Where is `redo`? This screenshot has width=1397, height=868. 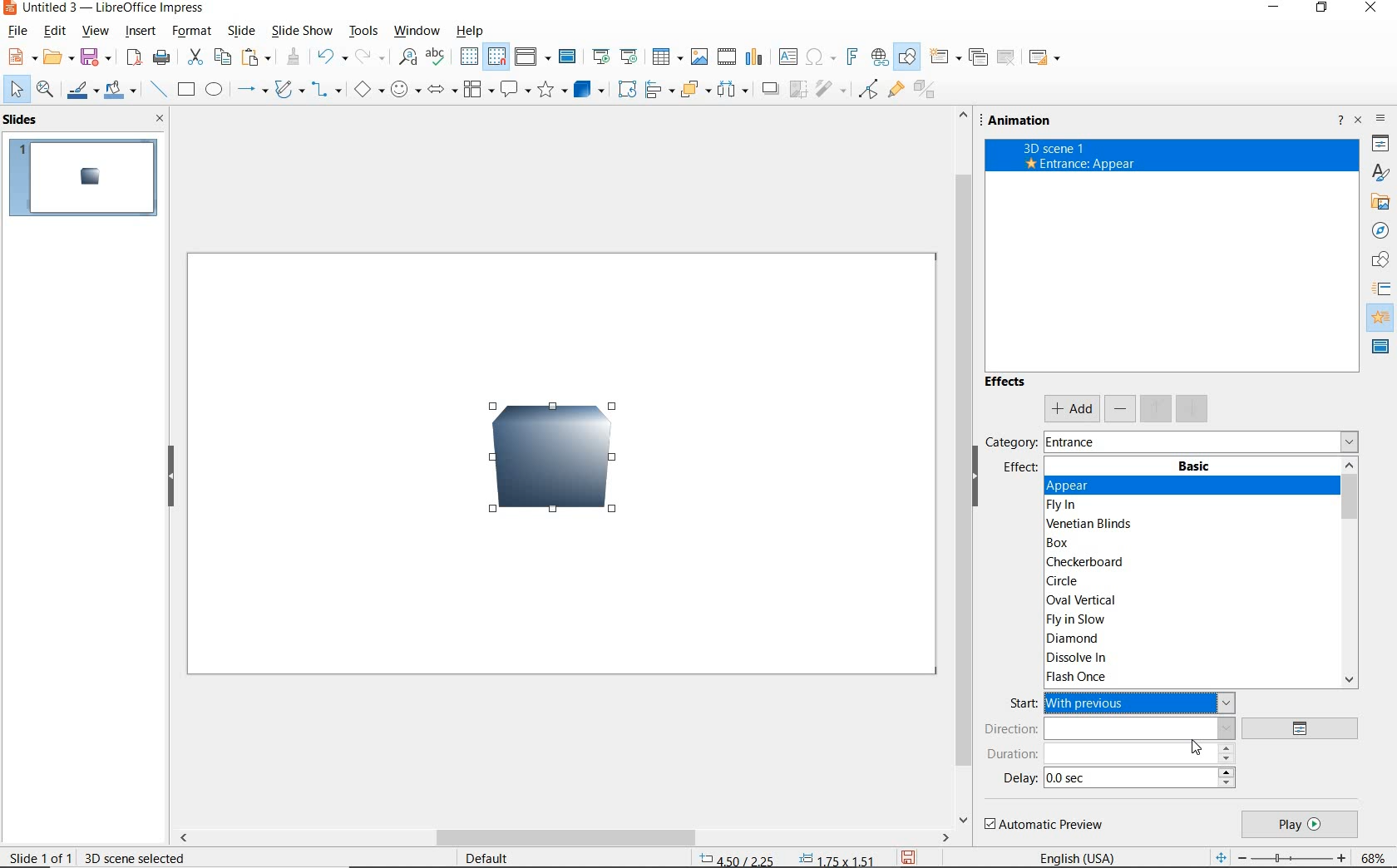
redo is located at coordinates (368, 57).